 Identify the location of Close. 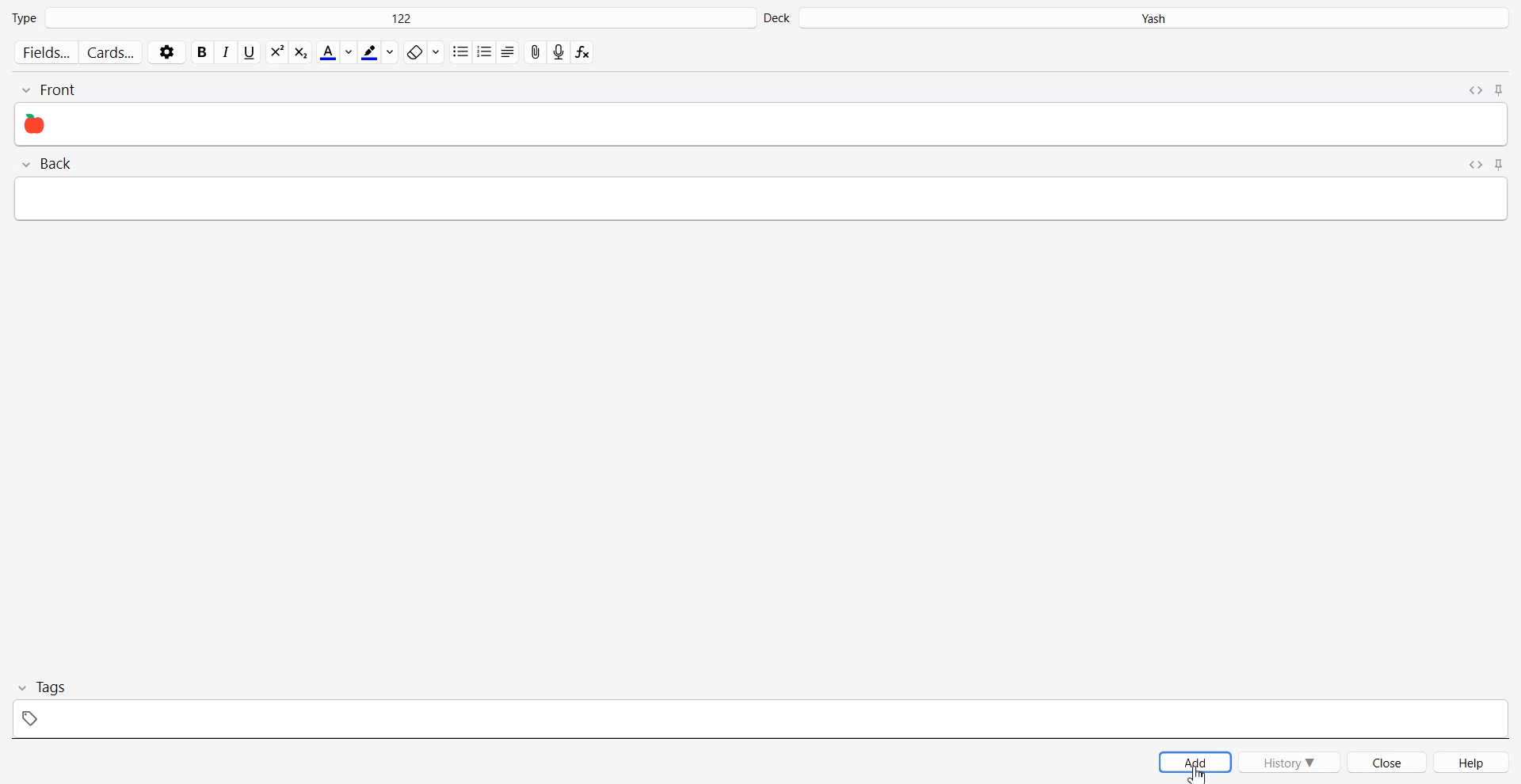
(1388, 762).